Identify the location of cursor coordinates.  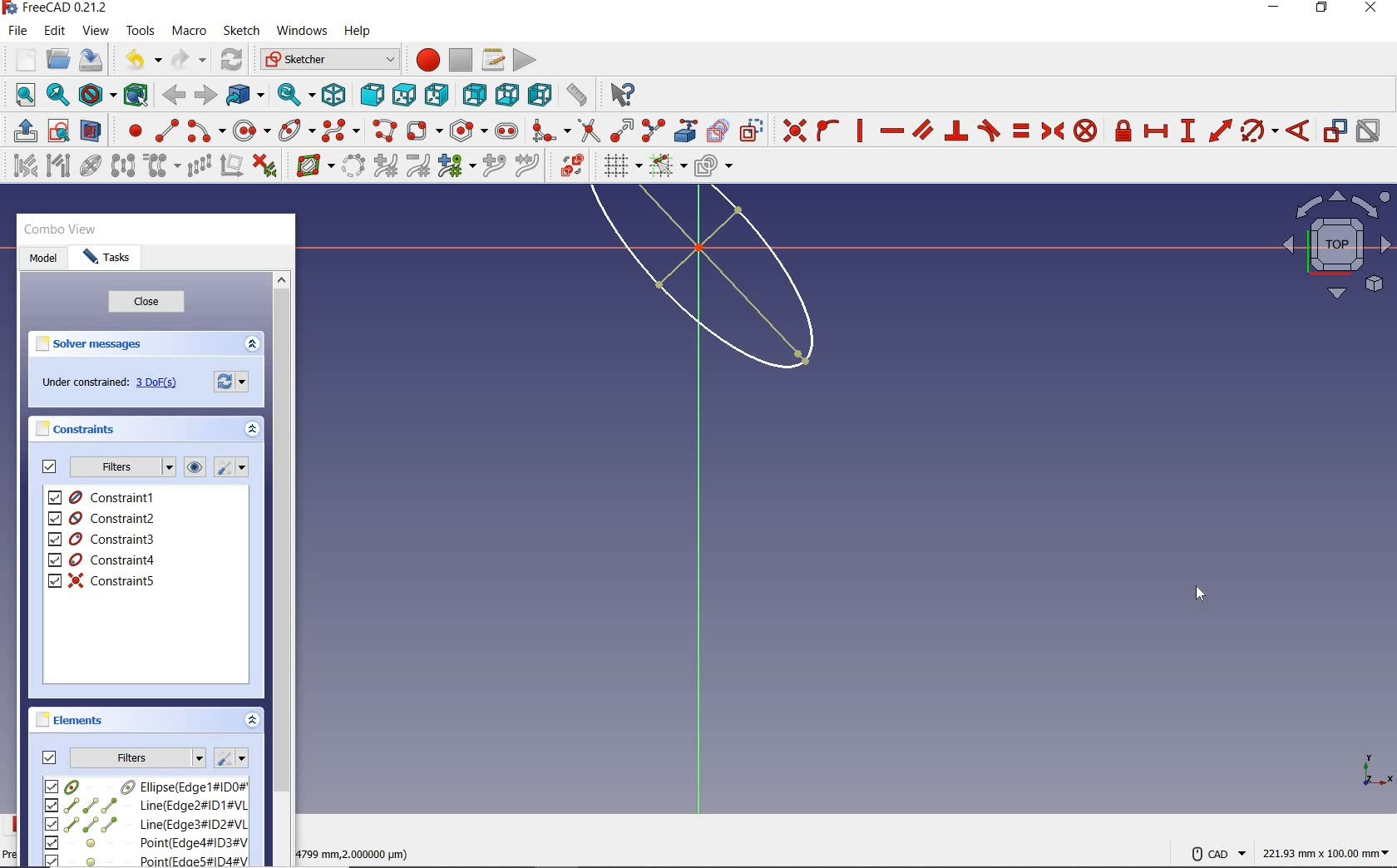
(357, 851).